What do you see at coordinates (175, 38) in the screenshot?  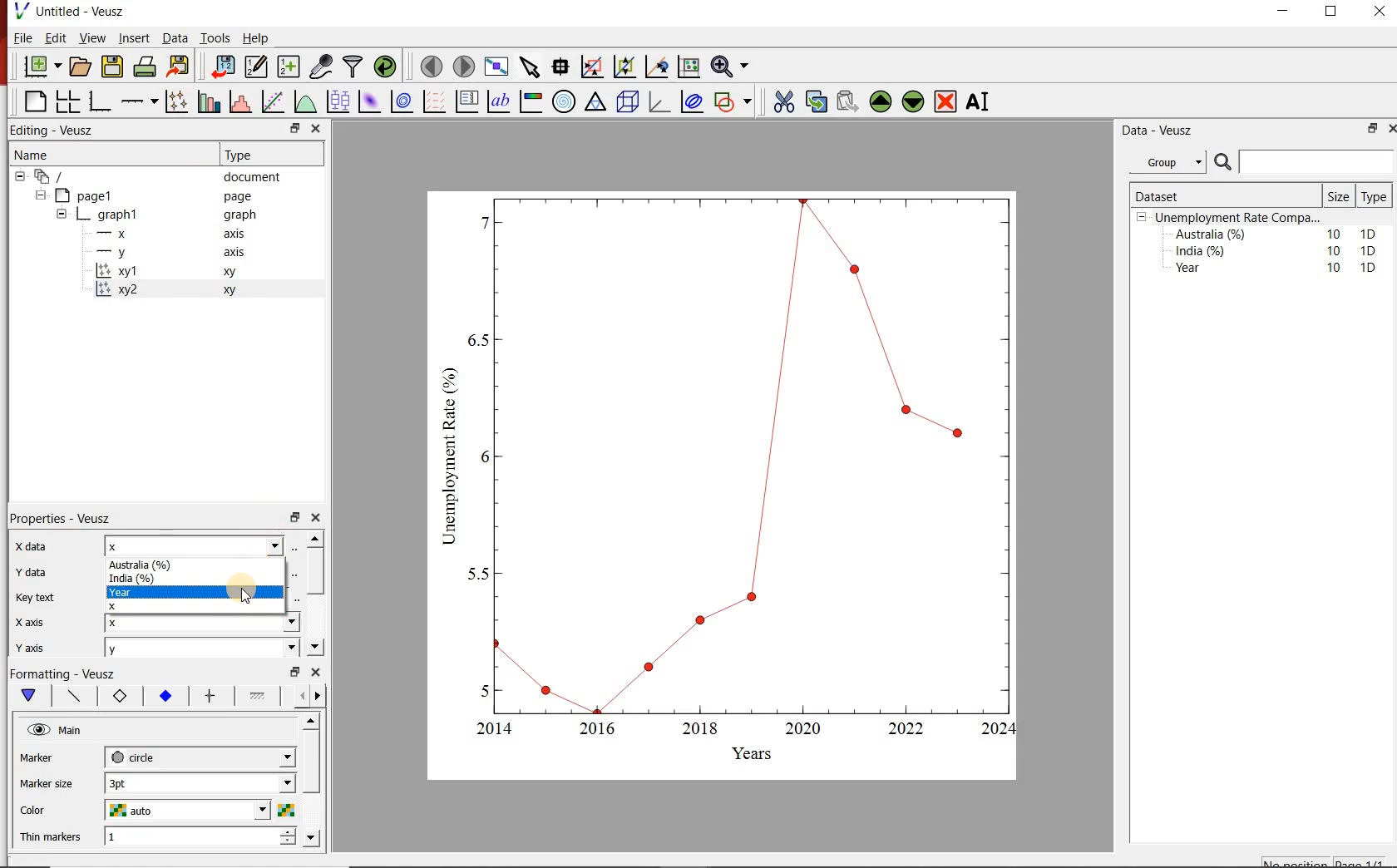 I see `Data` at bounding box center [175, 38].